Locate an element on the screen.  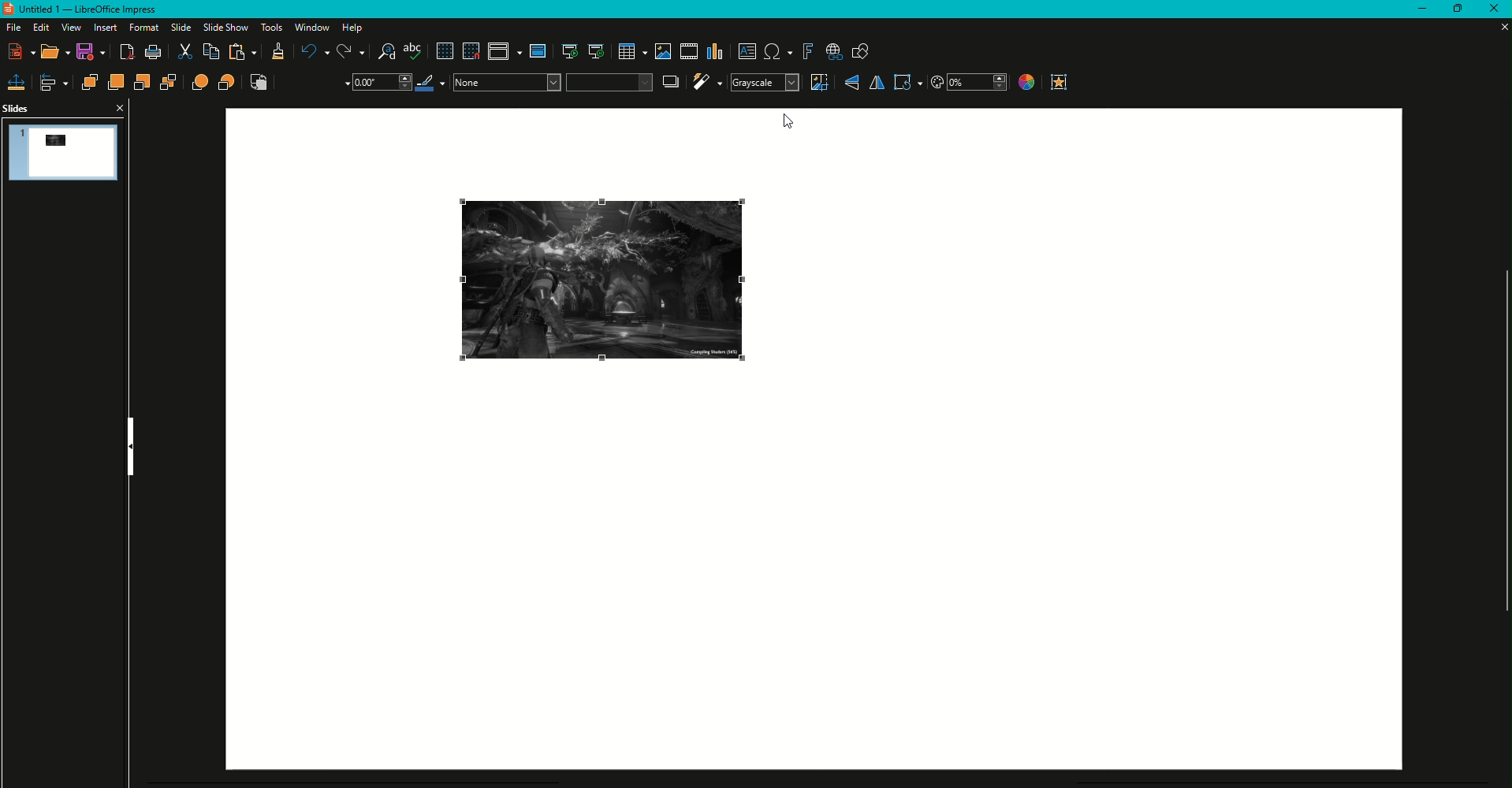
Draw Function is located at coordinates (861, 53).